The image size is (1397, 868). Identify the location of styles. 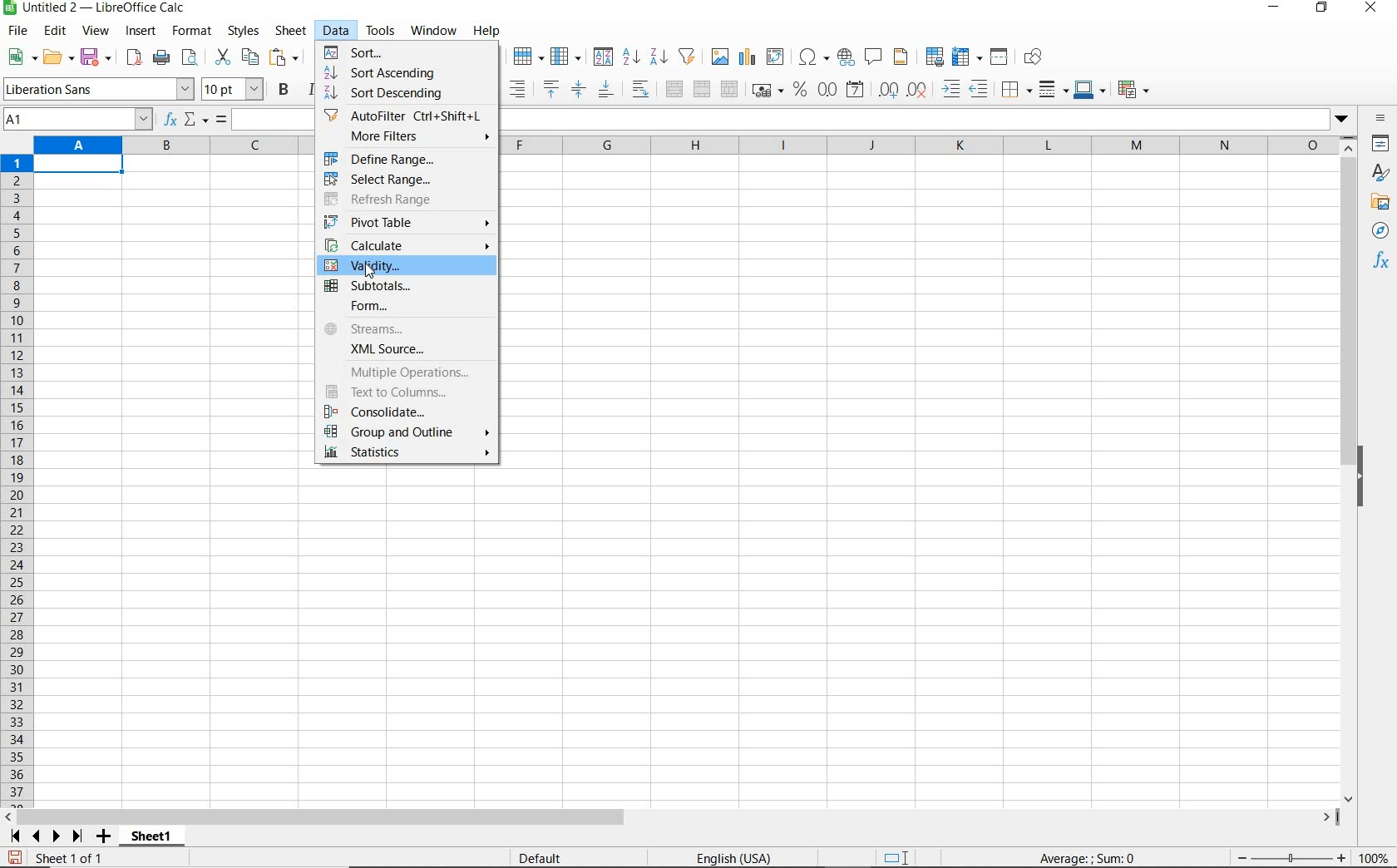
(242, 32).